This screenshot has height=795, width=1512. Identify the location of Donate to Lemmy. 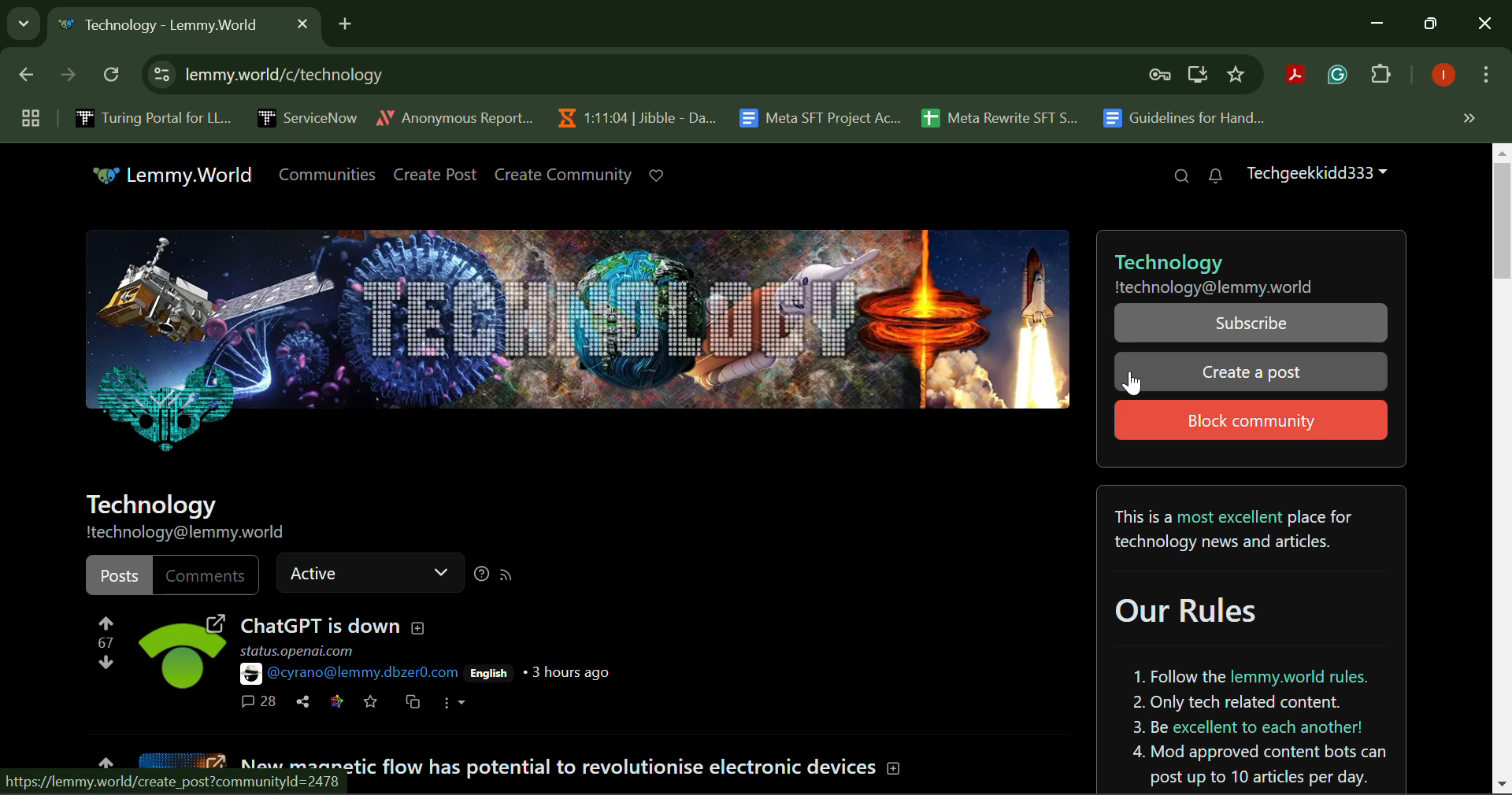
(658, 176).